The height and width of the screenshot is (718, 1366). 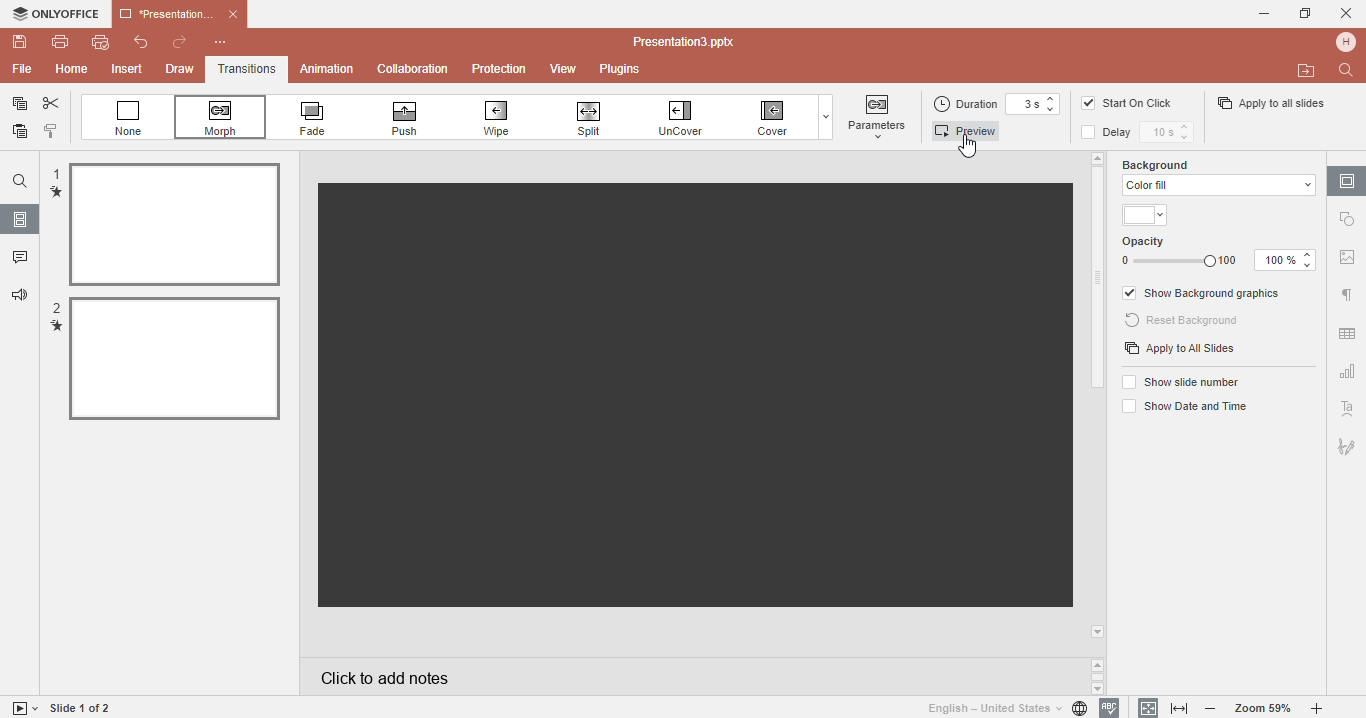 I want to click on Open file, so click(x=1307, y=71).